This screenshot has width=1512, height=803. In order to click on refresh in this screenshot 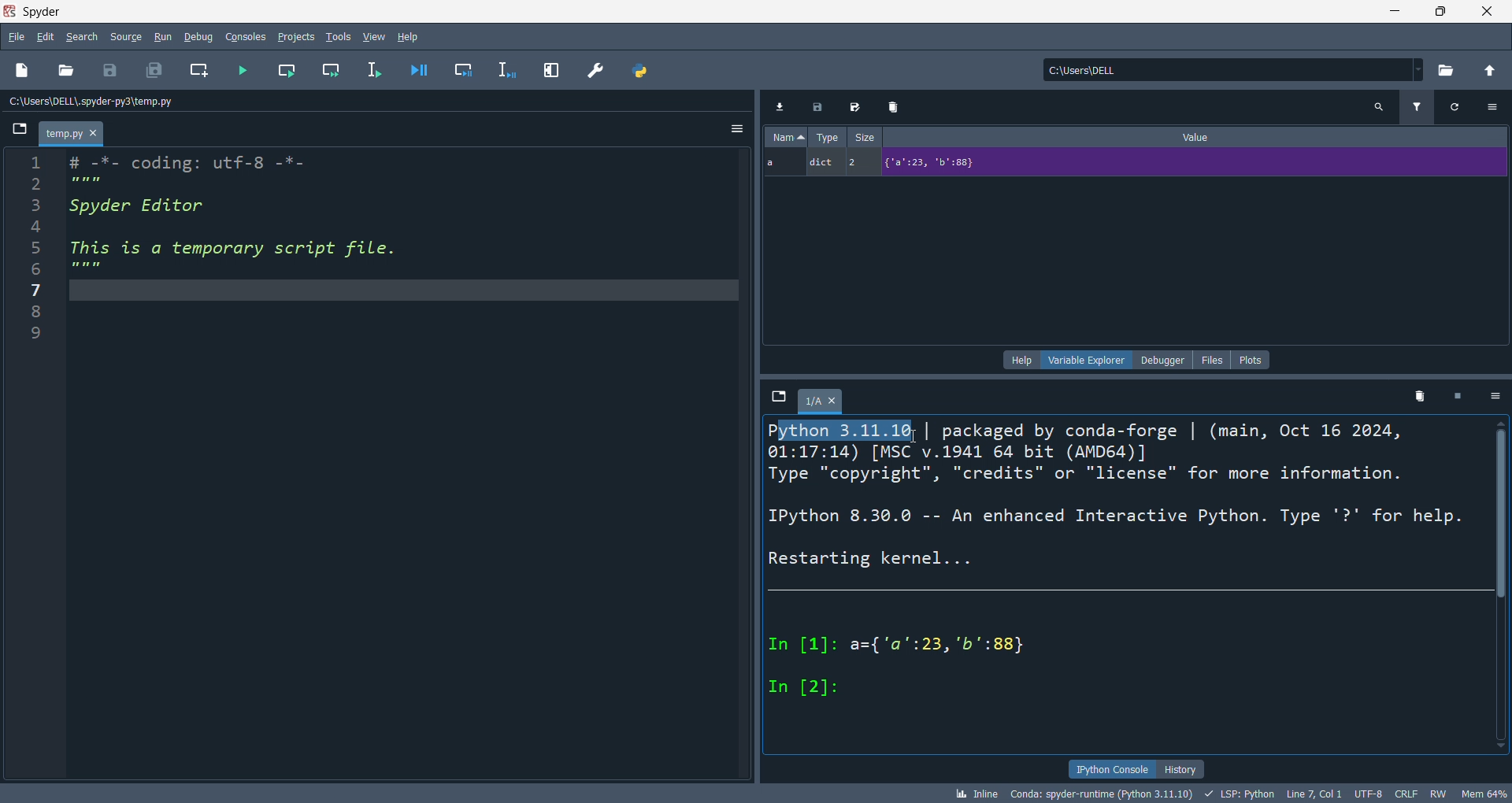, I will do `click(1462, 107)`.